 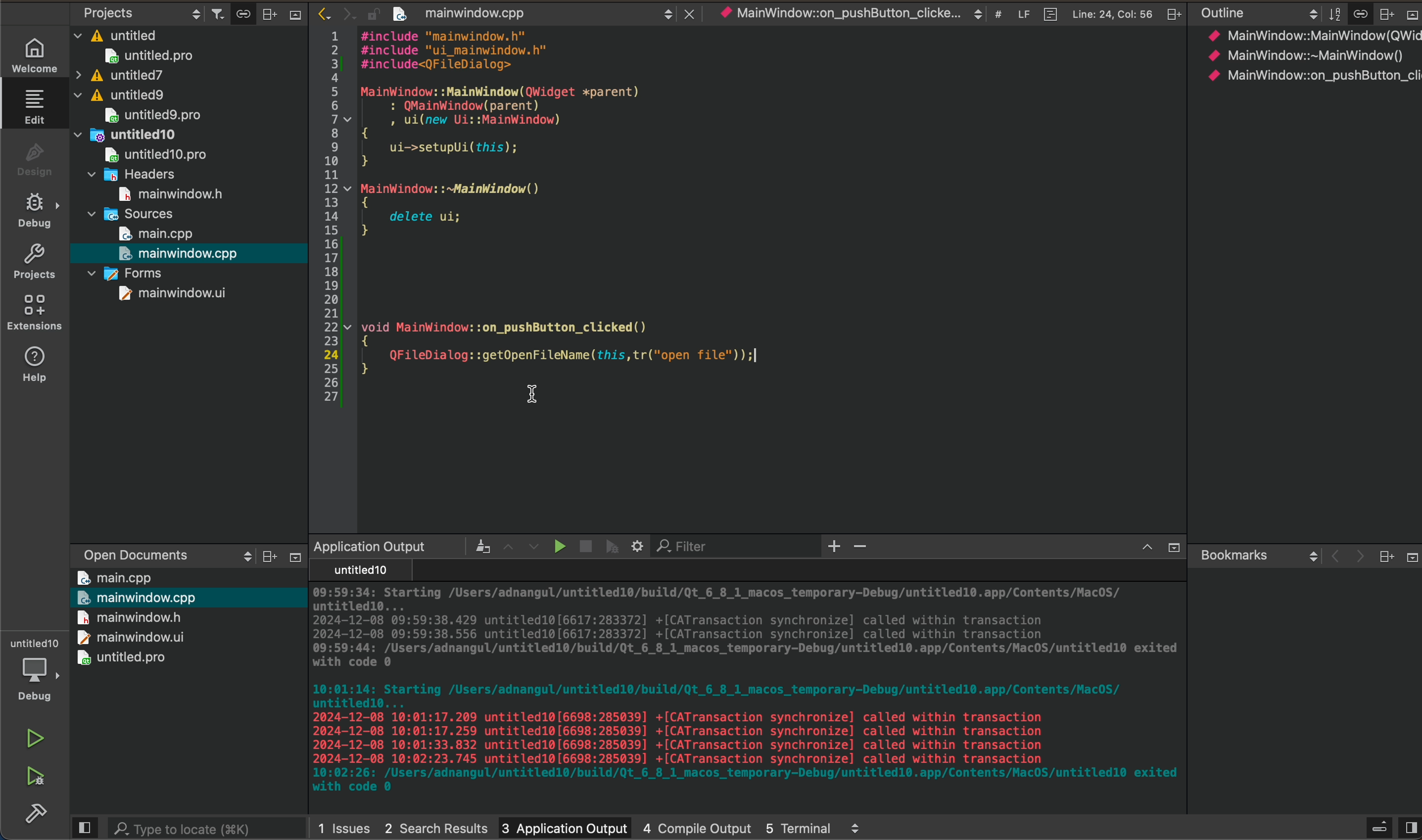 I want to click on untitled9, so click(x=123, y=95).